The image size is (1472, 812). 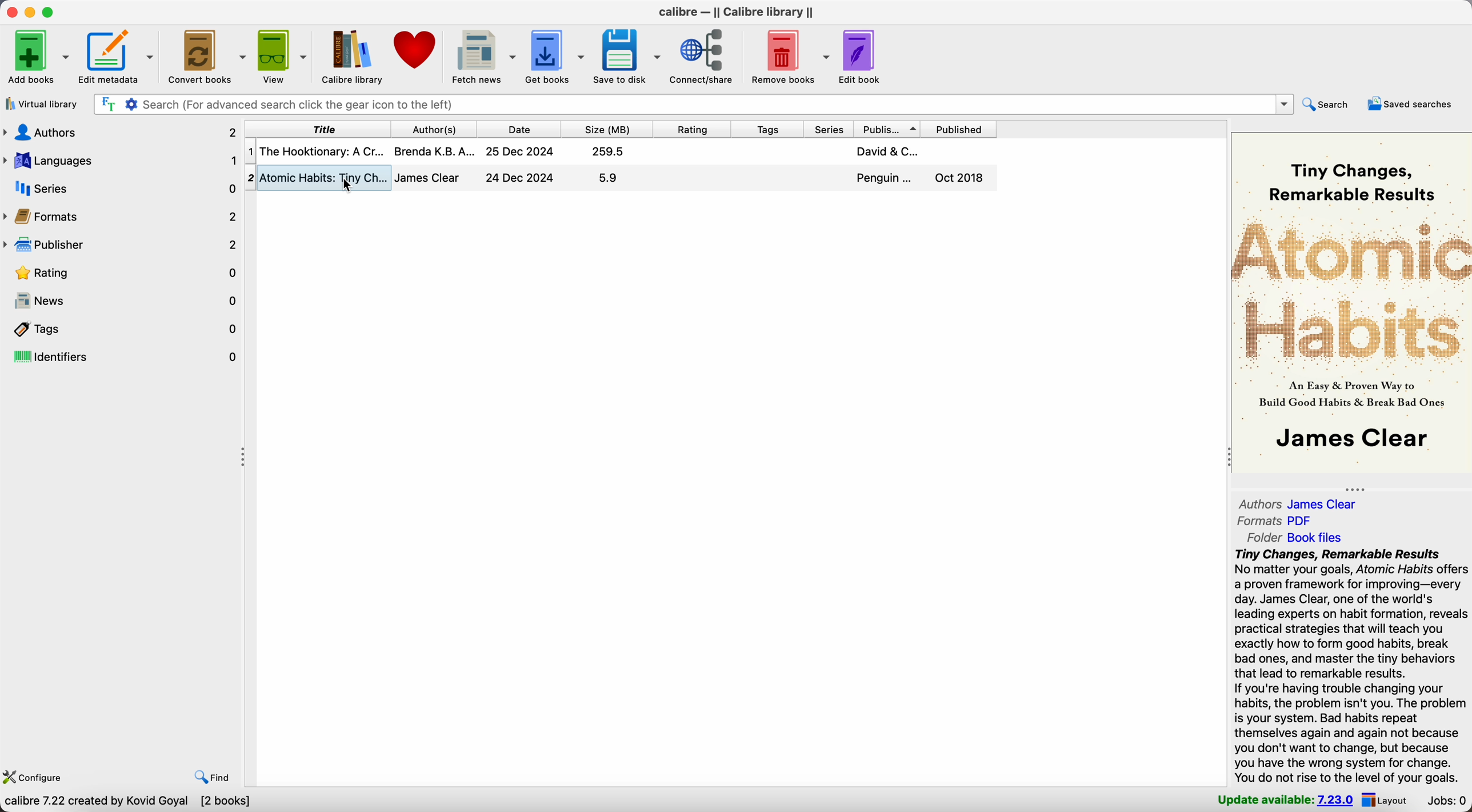 What do you see at coordinates (1445, 801) in the screenshot?
I see `Jobs: 0` at bounding box center [1445, 801].